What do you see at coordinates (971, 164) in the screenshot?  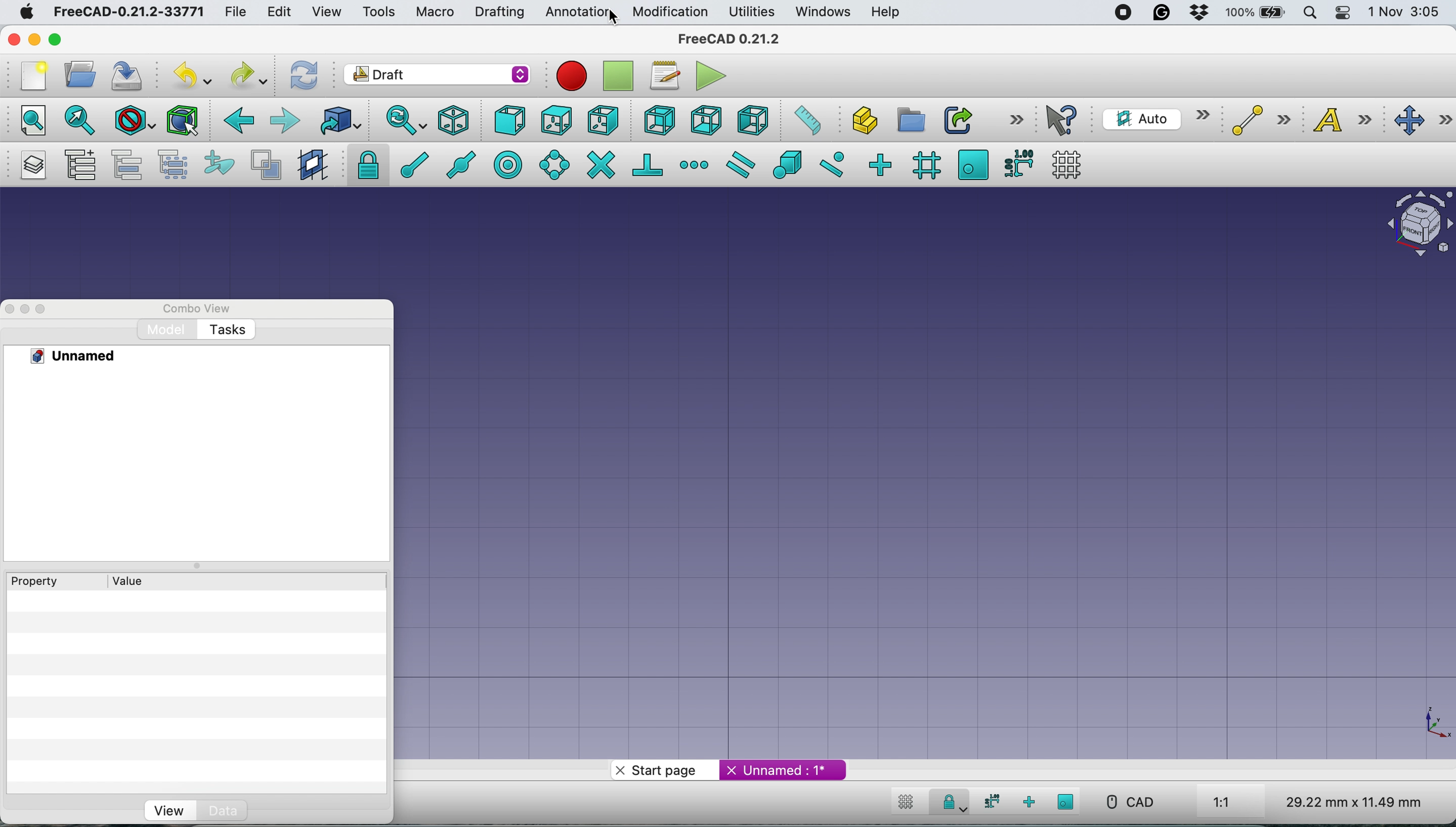 I see `snap working plane` at bounding box center [971, 164].